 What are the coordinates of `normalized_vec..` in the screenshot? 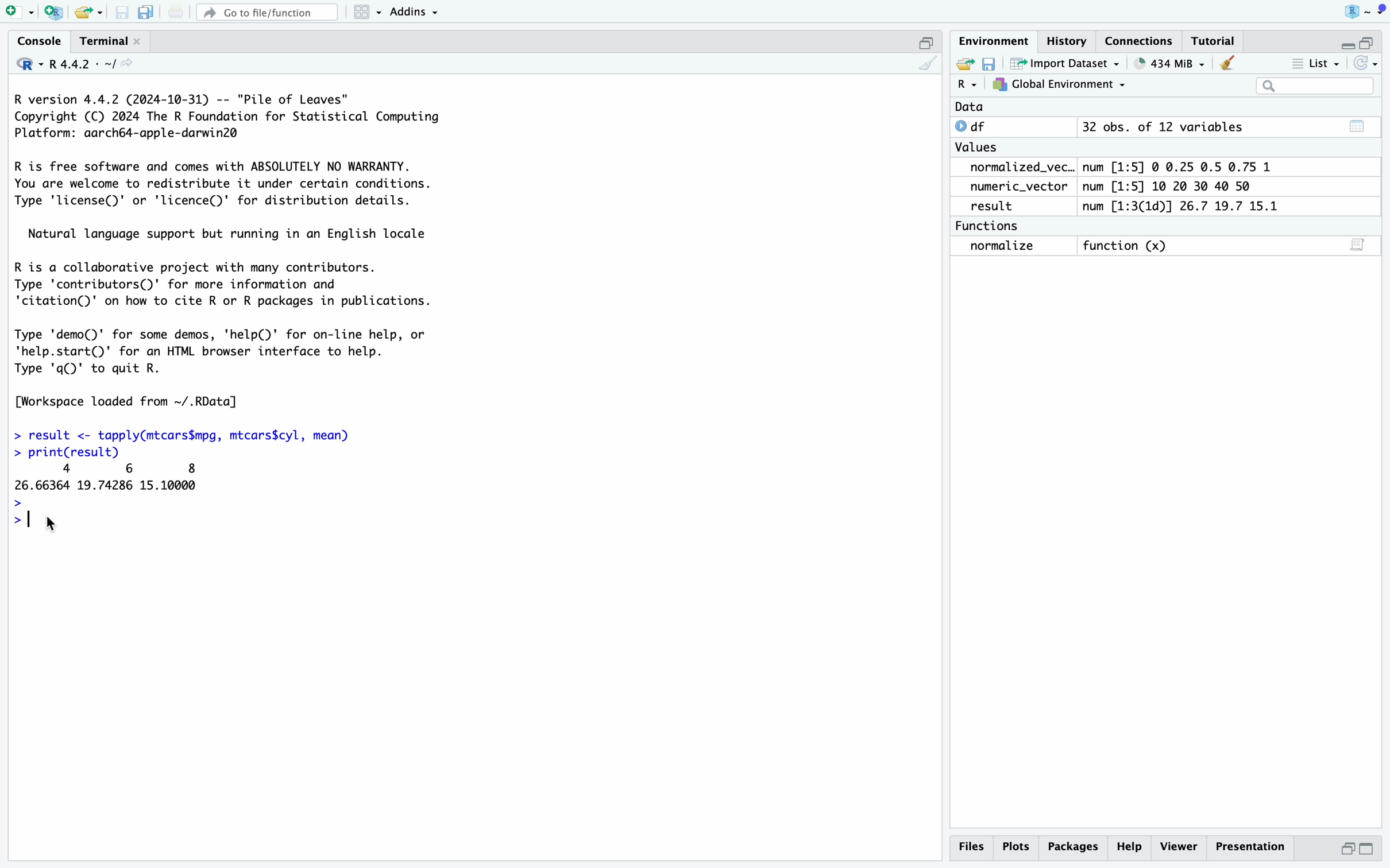 It's located at (1021, 167).